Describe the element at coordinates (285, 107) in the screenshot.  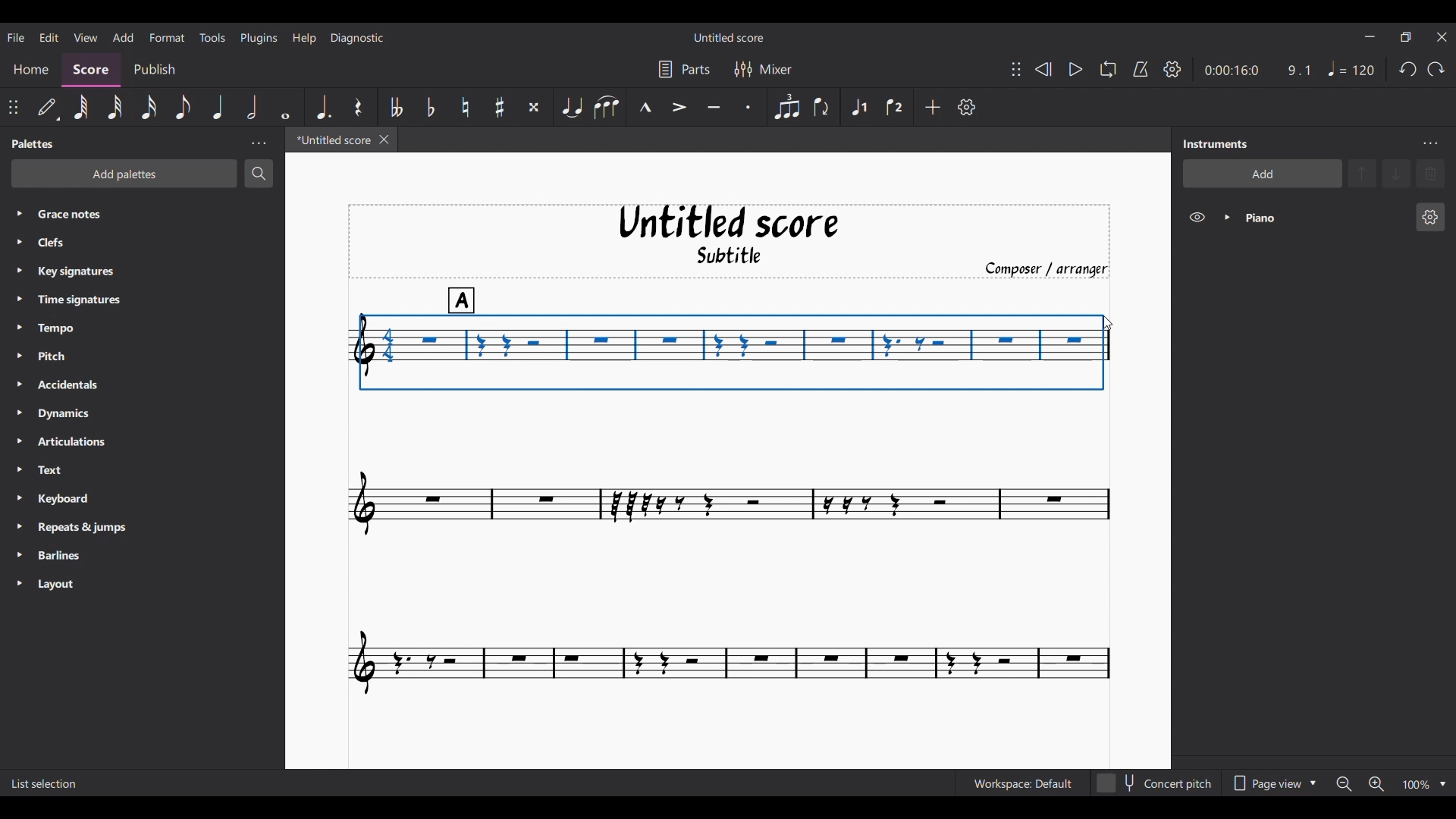
I see `Whole note` at that location.